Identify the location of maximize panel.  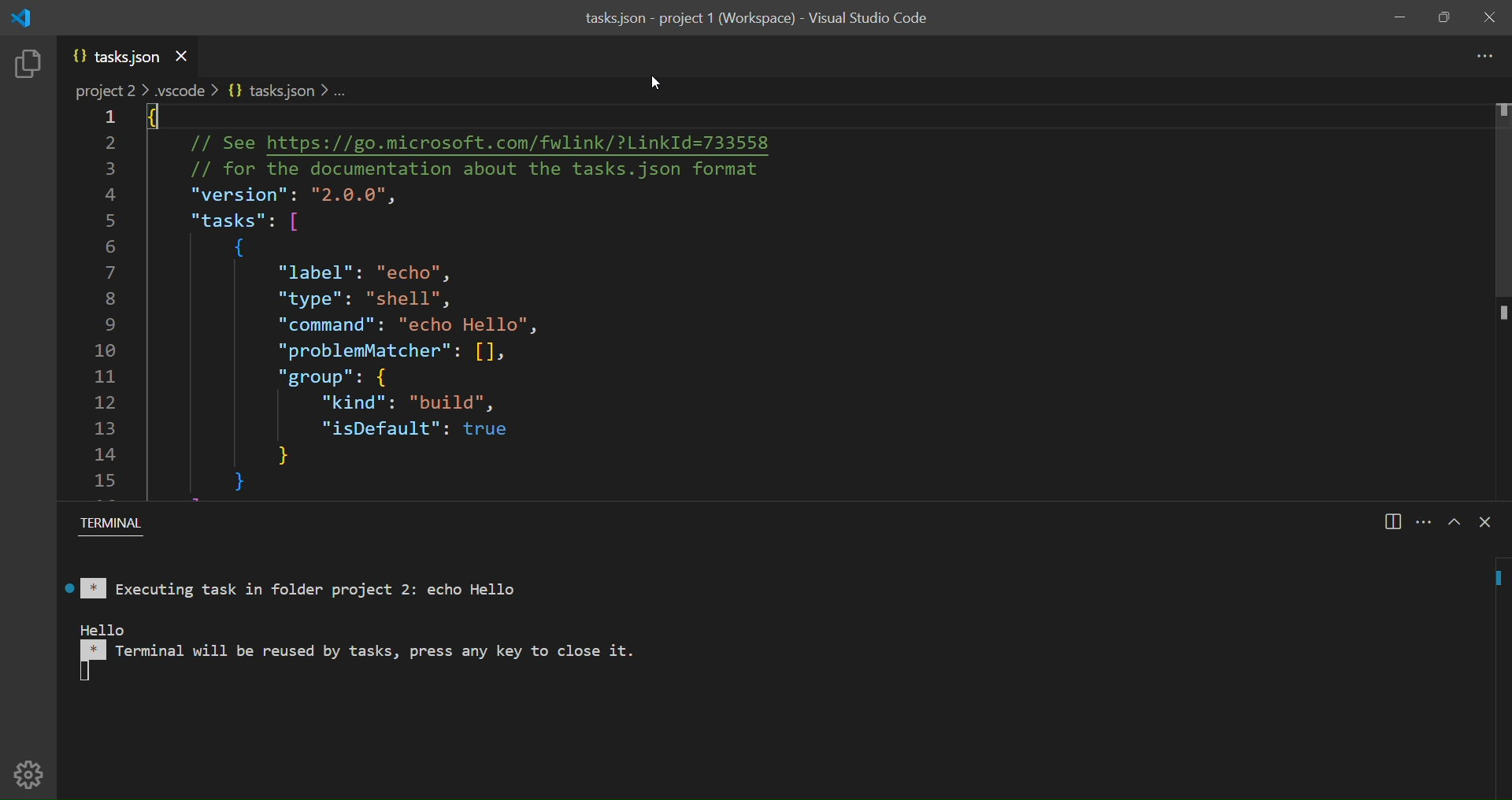
(1455, 521).